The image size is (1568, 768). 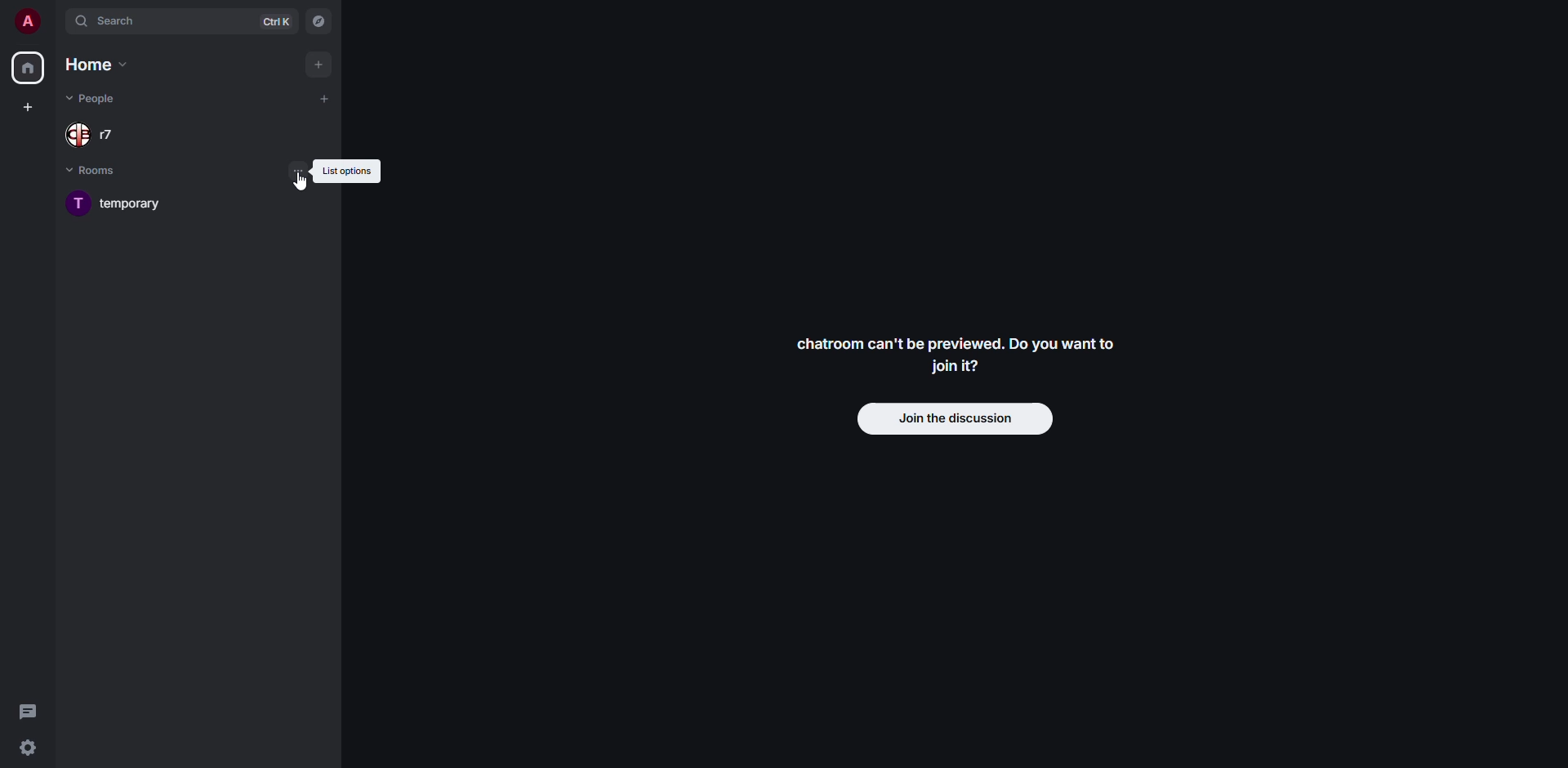 What do you see at coordinates (30, 710) in the screenshot?
I see `threads` at bounding box center [30, 710].